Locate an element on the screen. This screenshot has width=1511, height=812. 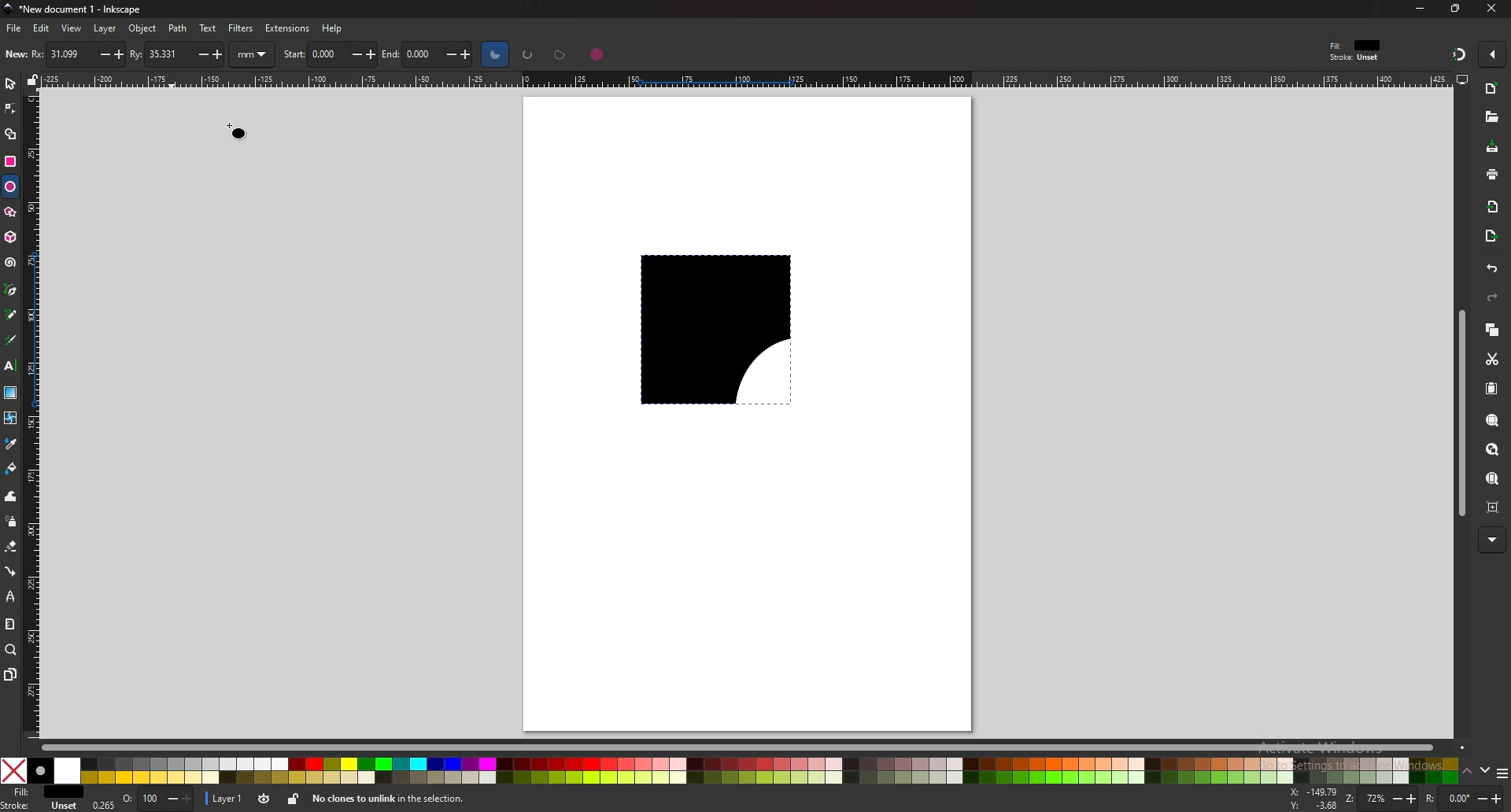
toggle lock is located at coordinates (291, 799).